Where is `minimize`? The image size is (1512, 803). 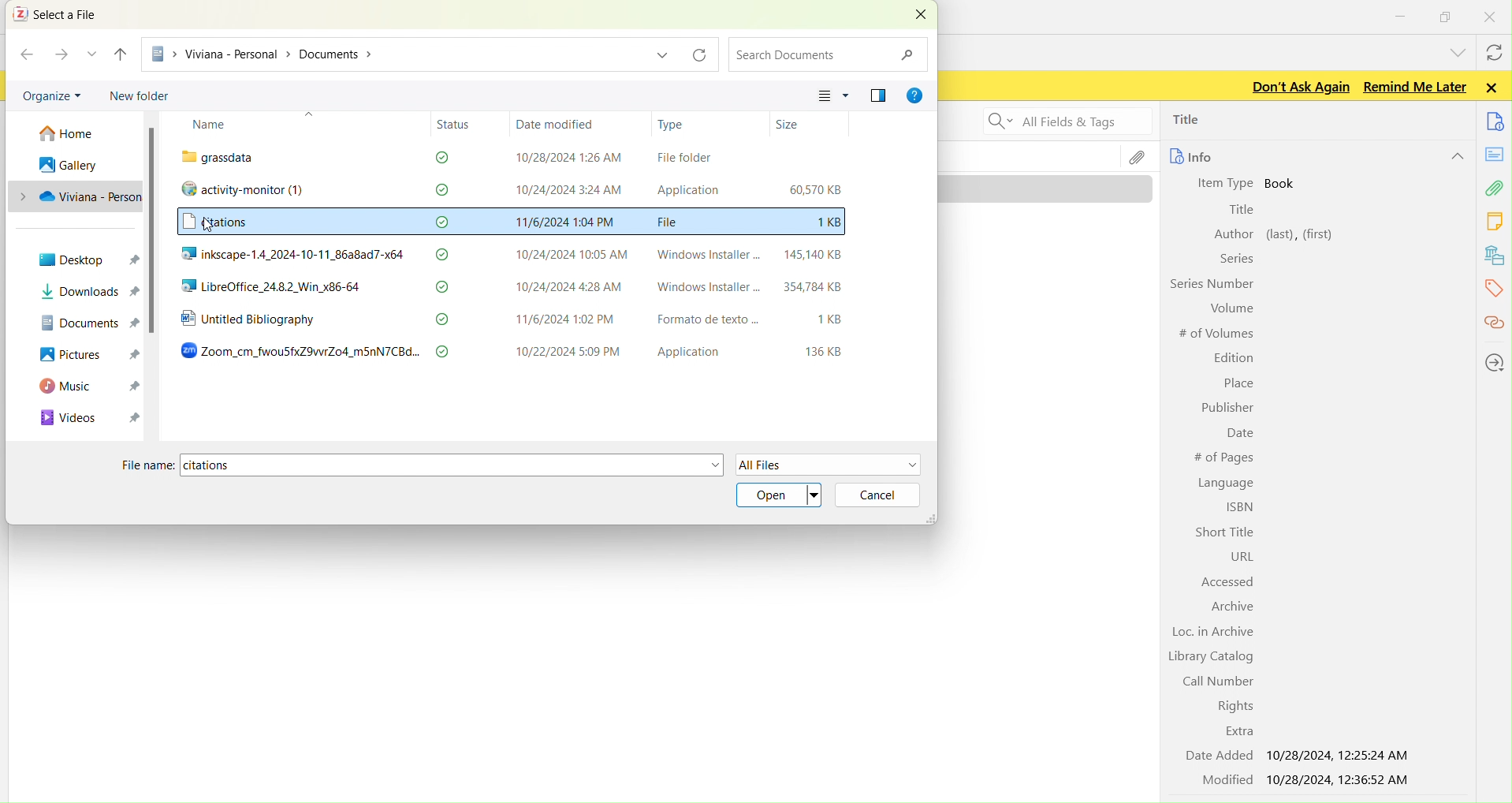 minimize is located at coordinates (1401, 13).